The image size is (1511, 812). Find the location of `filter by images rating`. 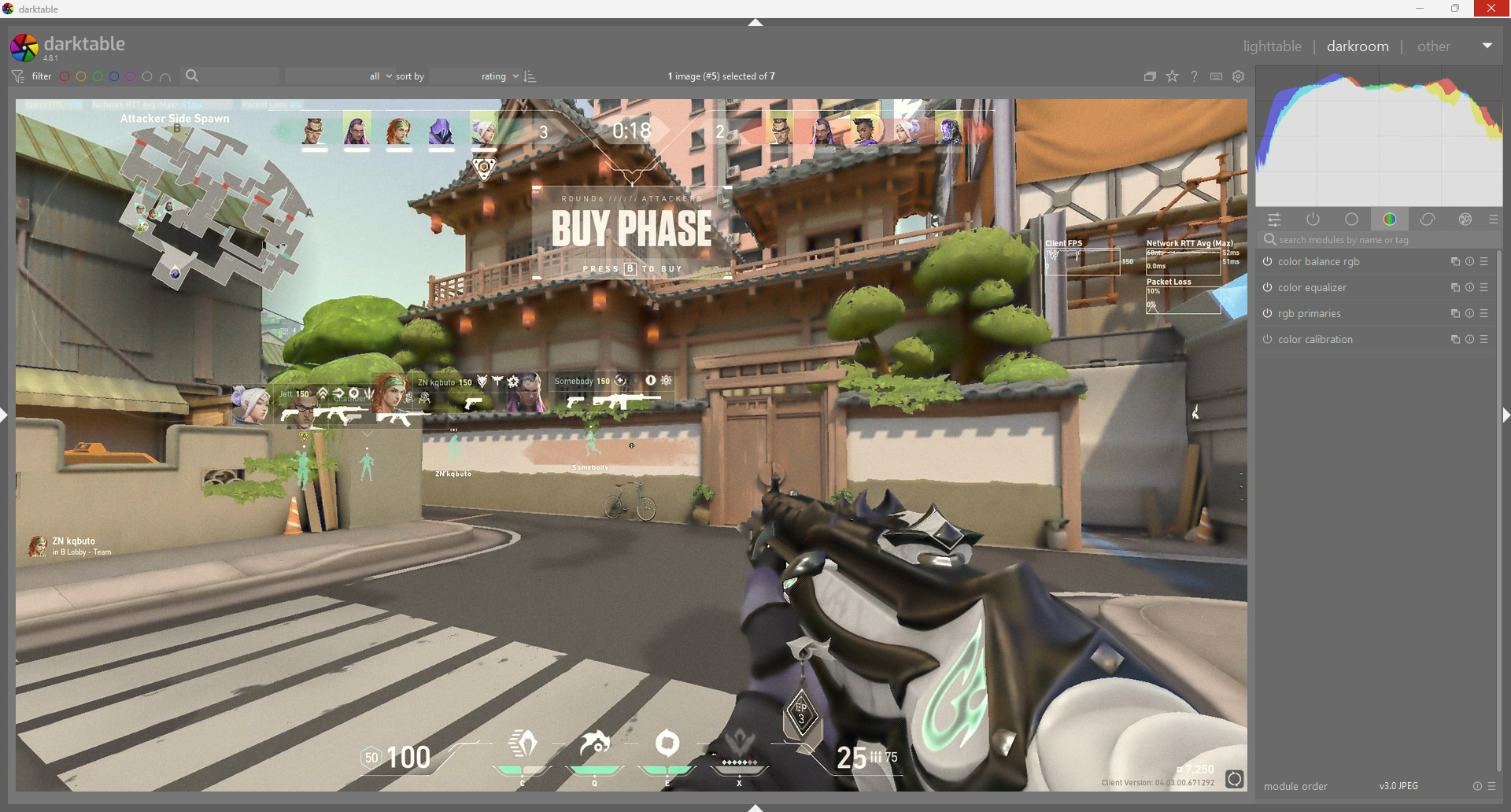

filter by images rating is located at coordinates (340, 76).